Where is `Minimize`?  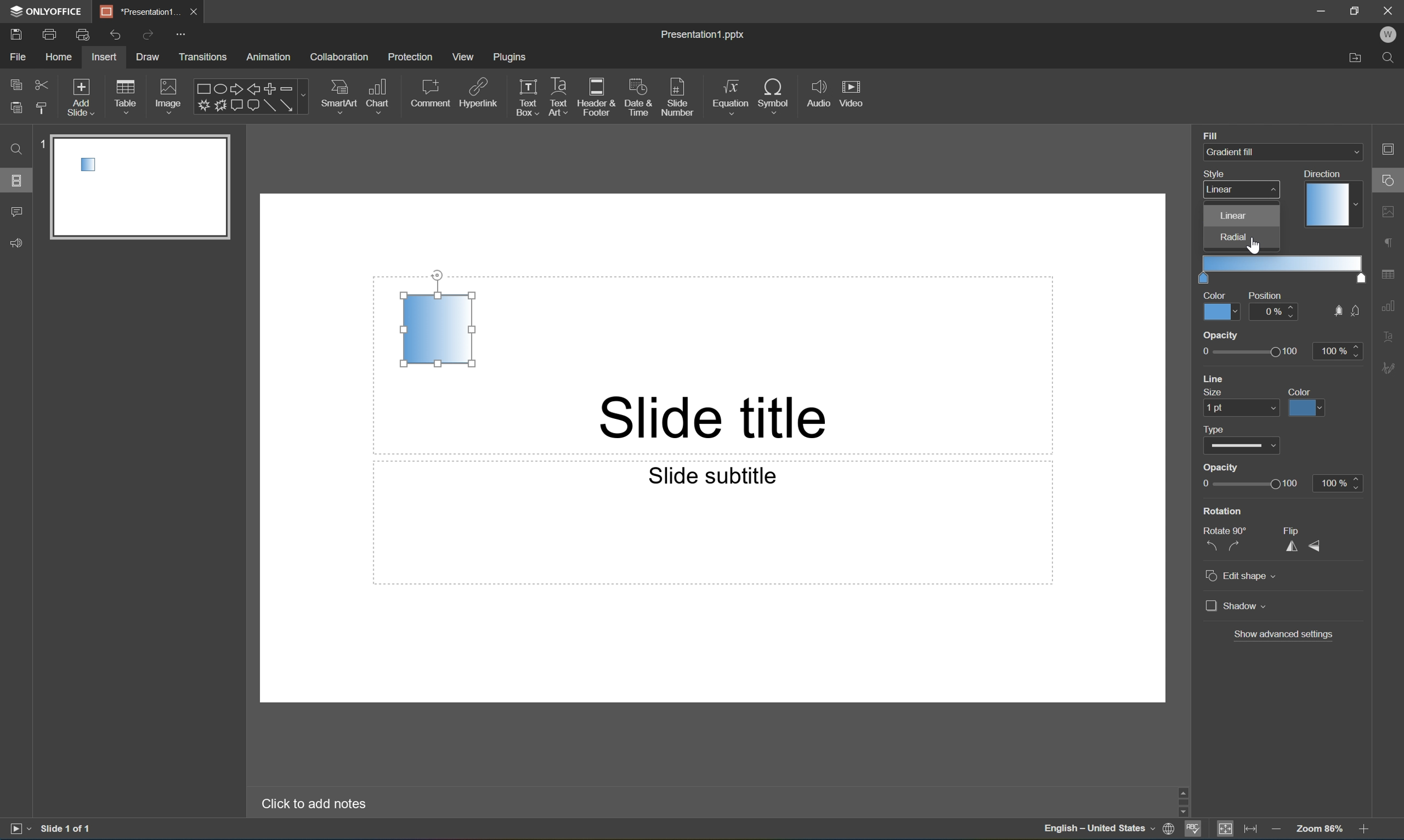
Minimize is located at coordinates (1321, 9).